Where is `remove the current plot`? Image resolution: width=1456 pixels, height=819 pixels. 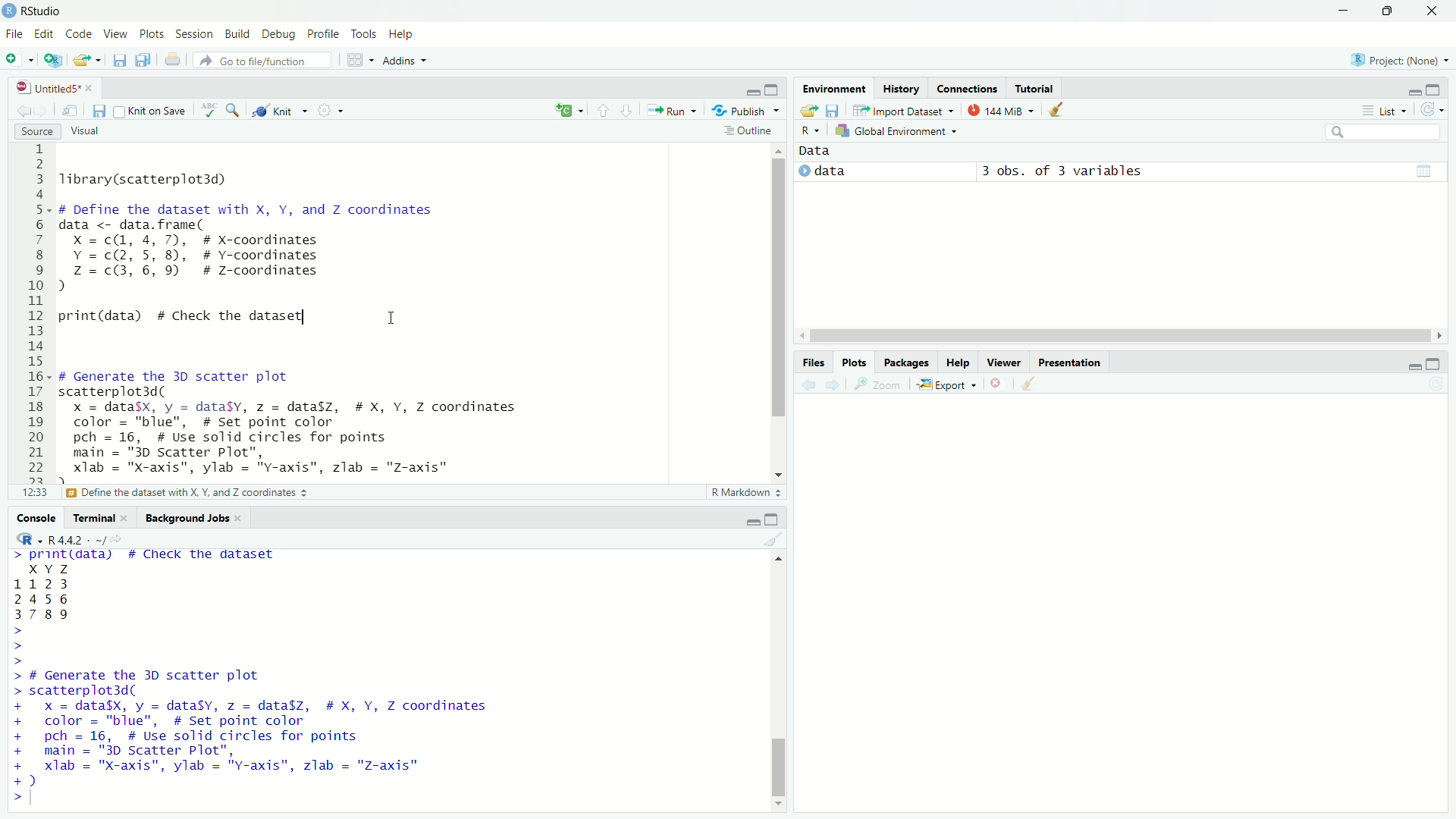 remove the current plot is located at coordinates (995, 384).